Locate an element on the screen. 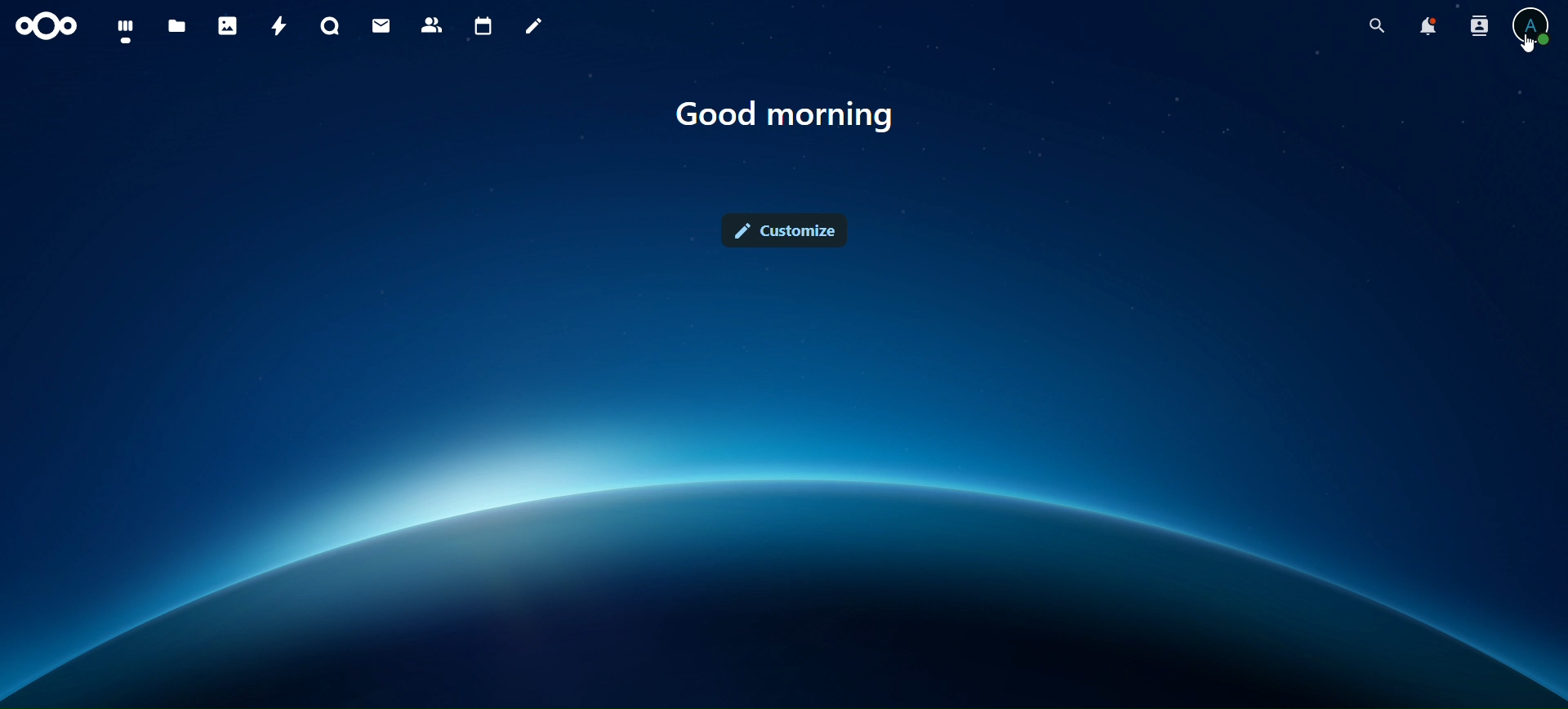 This screenshot has height=709, width=1568. cursor is located at coordinates (1527, 45).